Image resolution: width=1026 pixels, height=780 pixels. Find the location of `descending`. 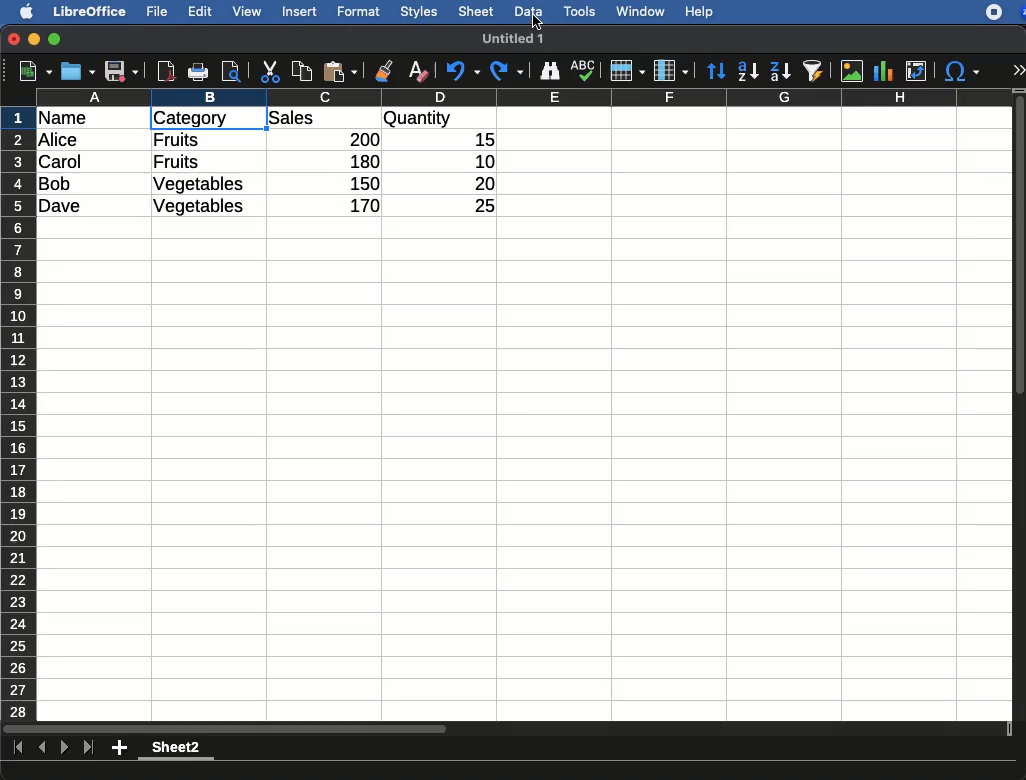

descending is located at coordinates (781, 72).